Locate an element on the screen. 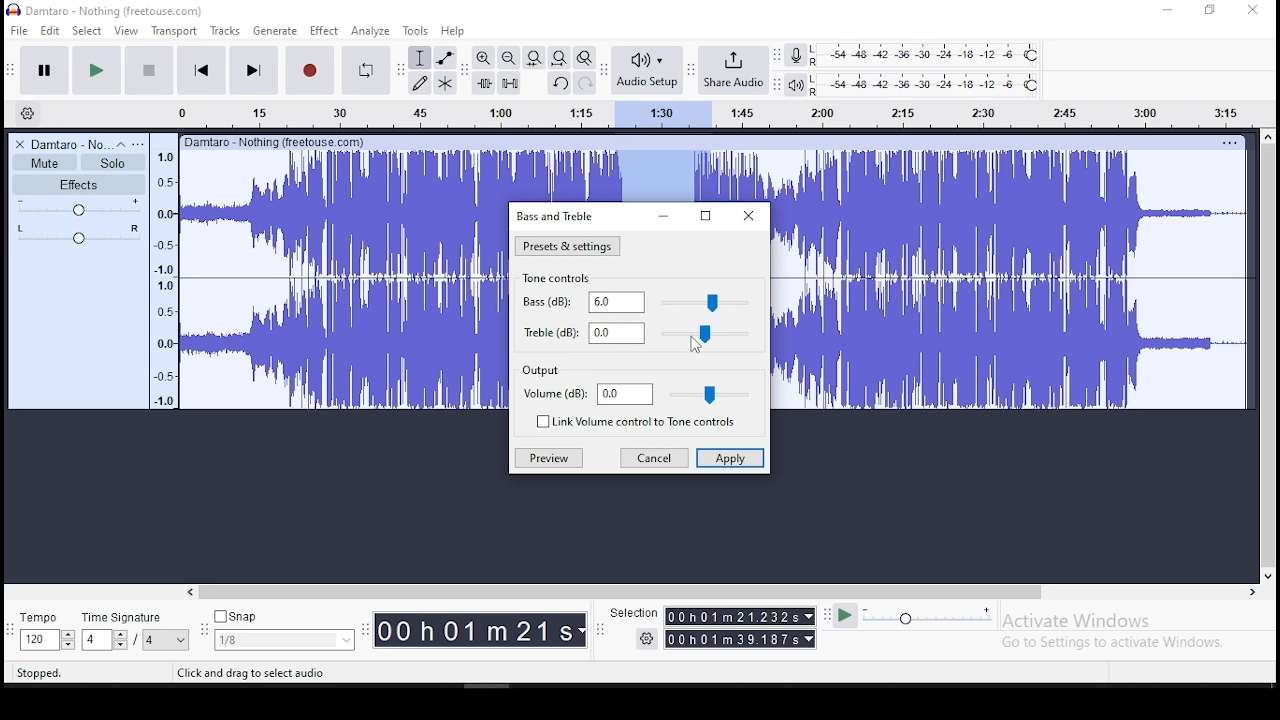 This screenshot has width=1280, height=720. view is located at coordinates (126, 31).